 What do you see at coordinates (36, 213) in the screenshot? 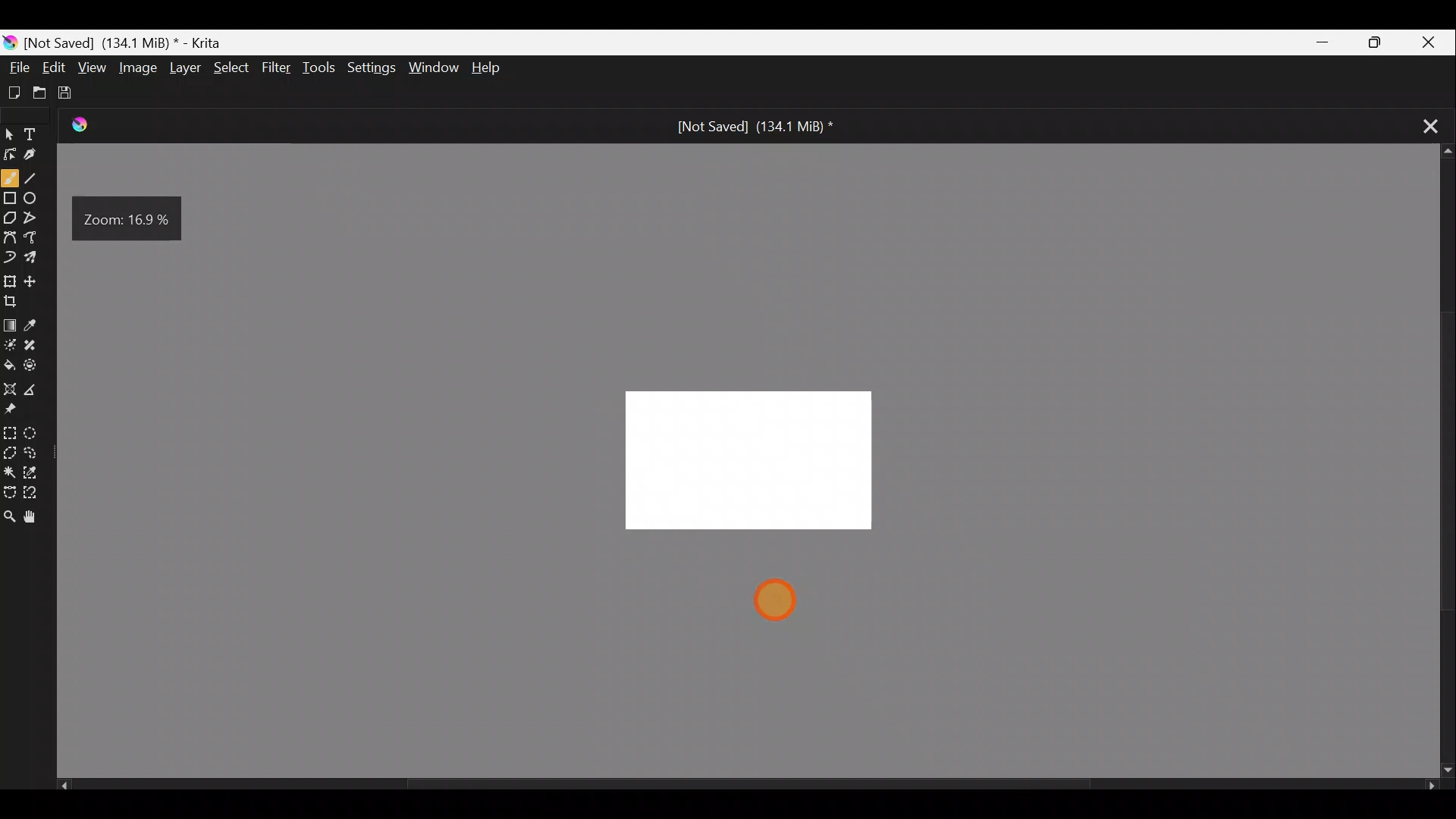
I see `Polyline tool` at bounding box center [36, 213].